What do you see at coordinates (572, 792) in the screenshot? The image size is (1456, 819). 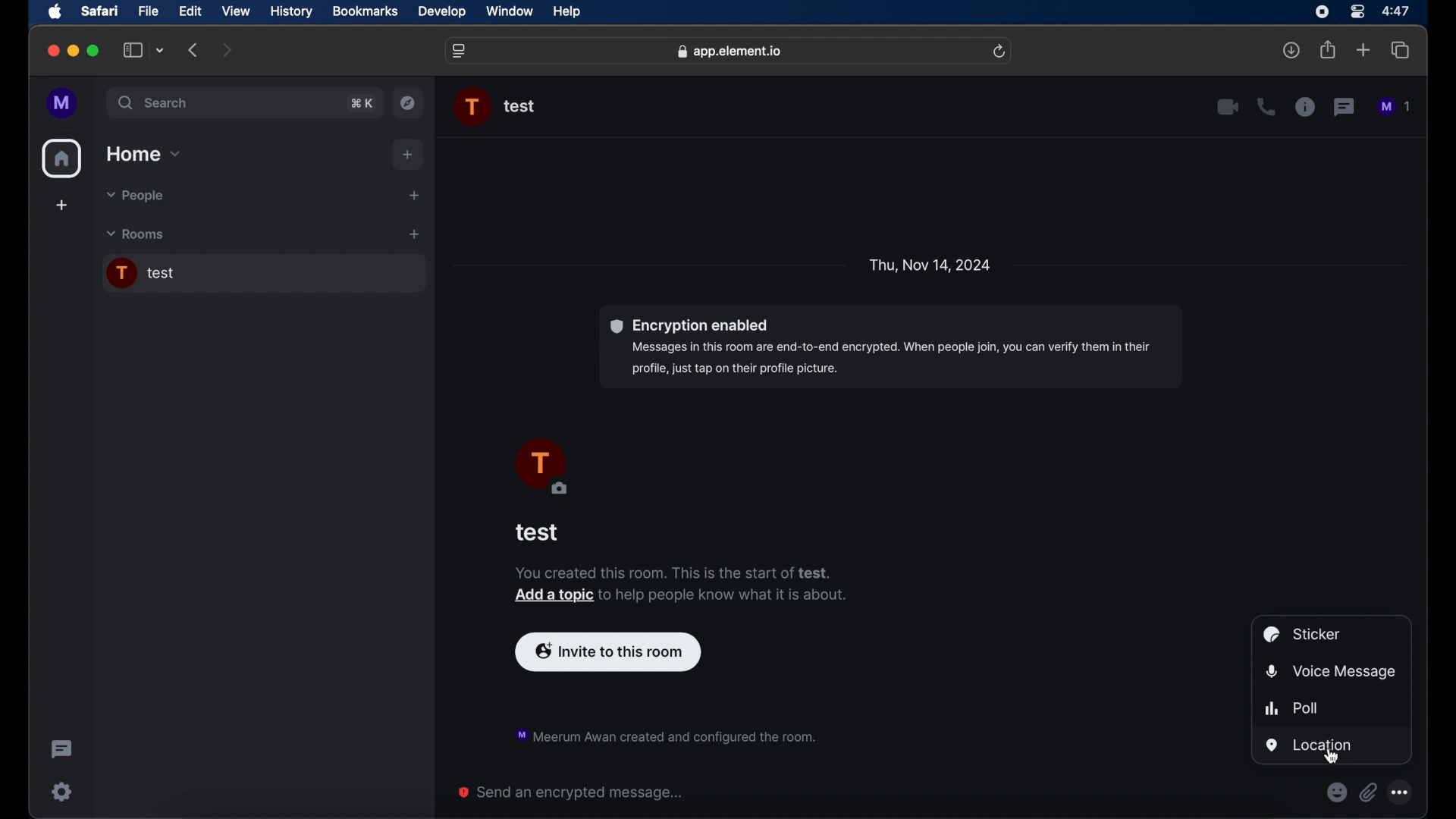 I see `send an encrypted message...` at bounding box center [572, 792].